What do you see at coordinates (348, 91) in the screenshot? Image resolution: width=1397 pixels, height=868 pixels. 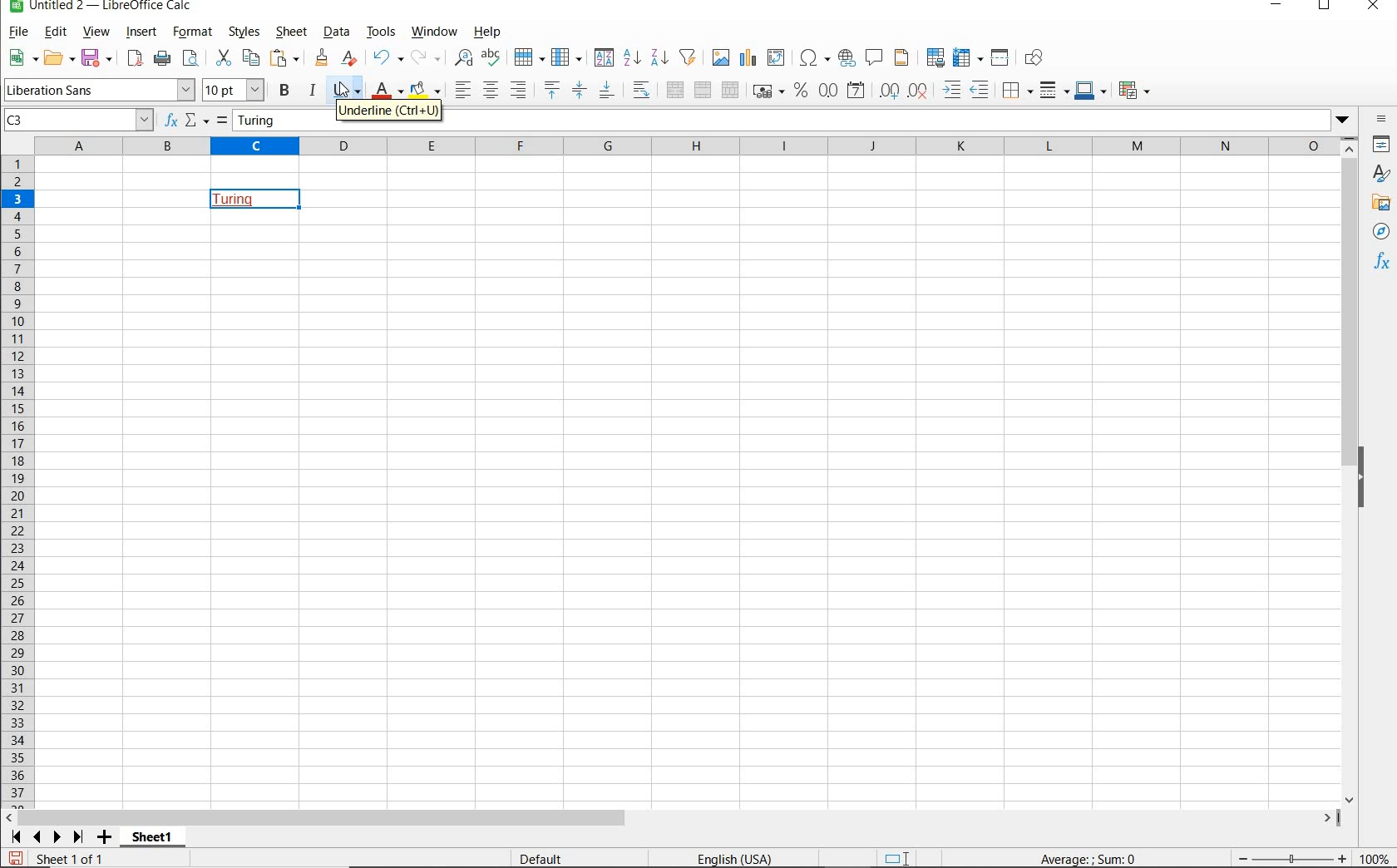 I see `cursor` at bounding box center [348, 91].